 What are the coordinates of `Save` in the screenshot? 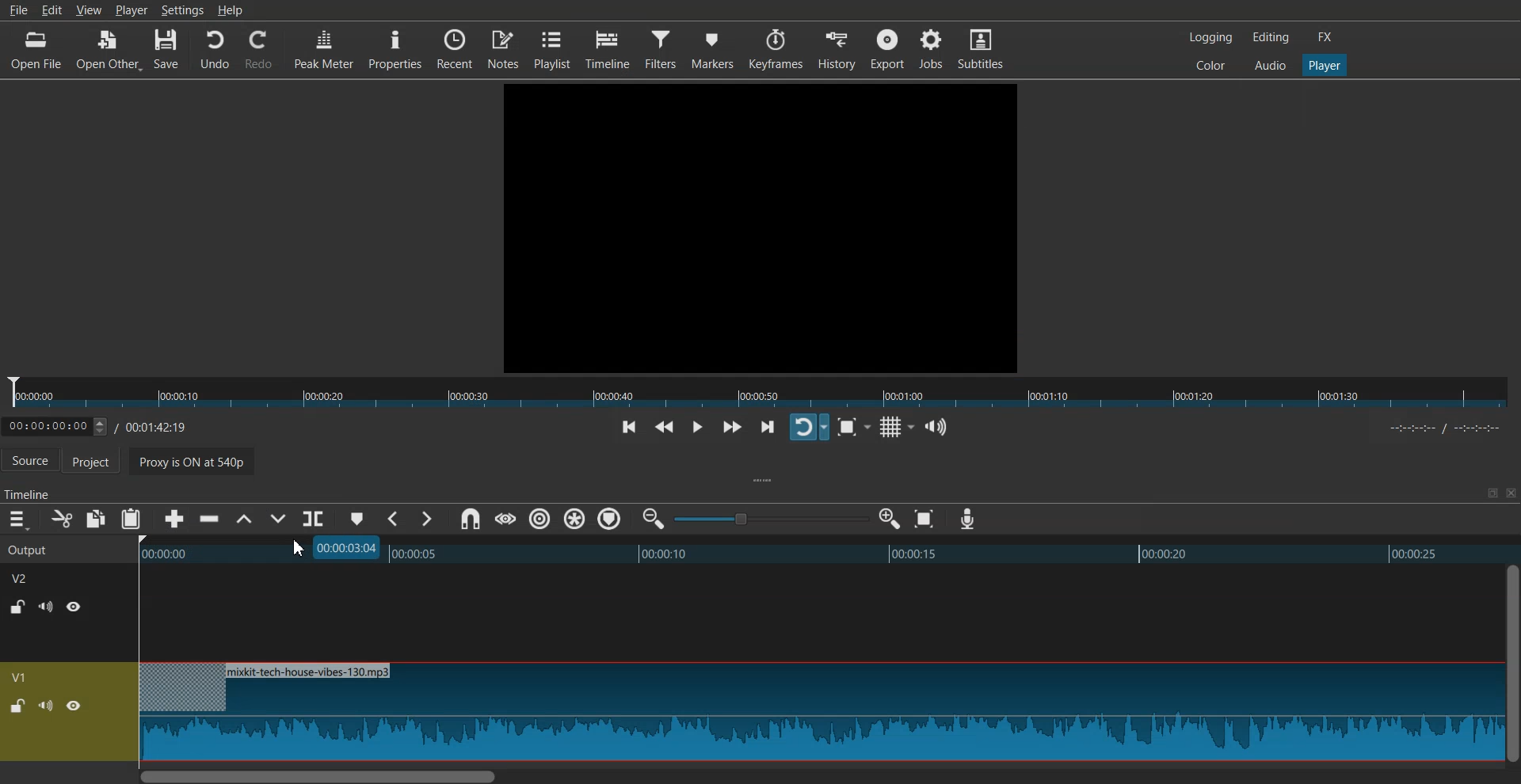 It's located at (167, 50).